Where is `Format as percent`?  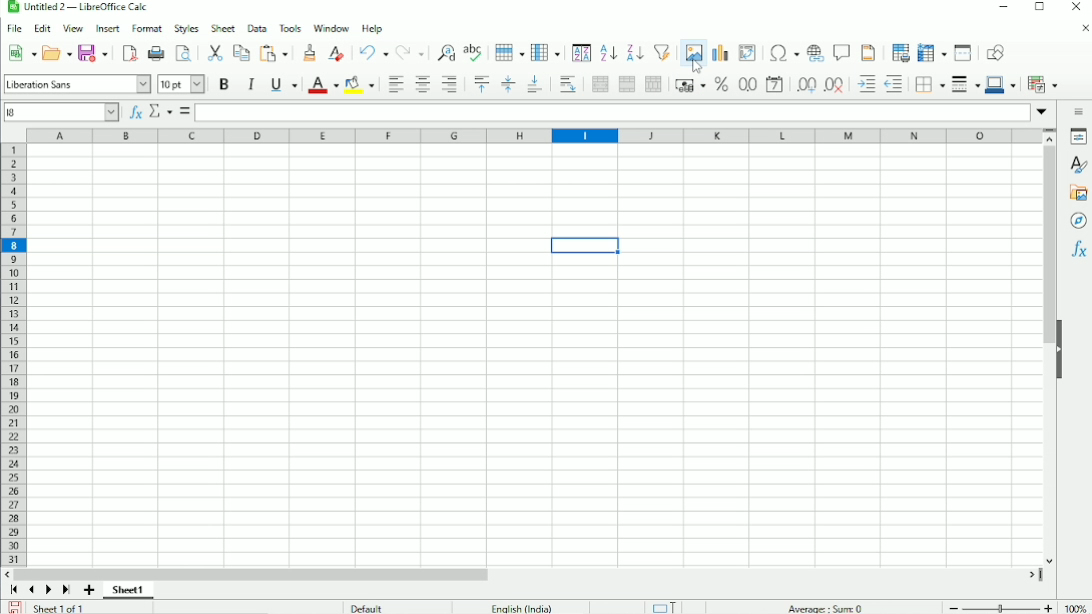
Format as percent is located at coordinates (719, 85).